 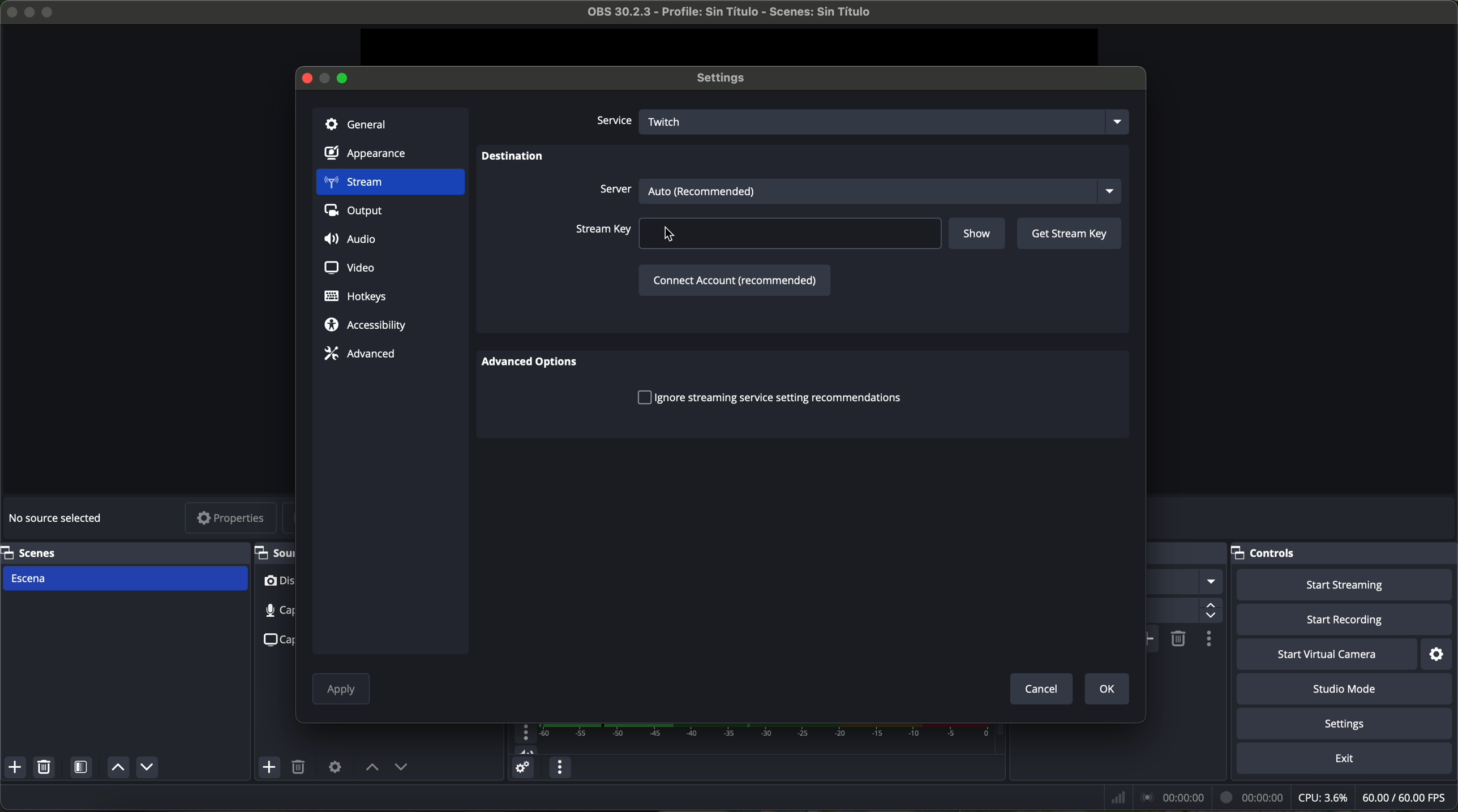 What do you see at coordinates (46, 769) in the screenshot?
I see `remove selected scene` at bounding box center [46, 769].